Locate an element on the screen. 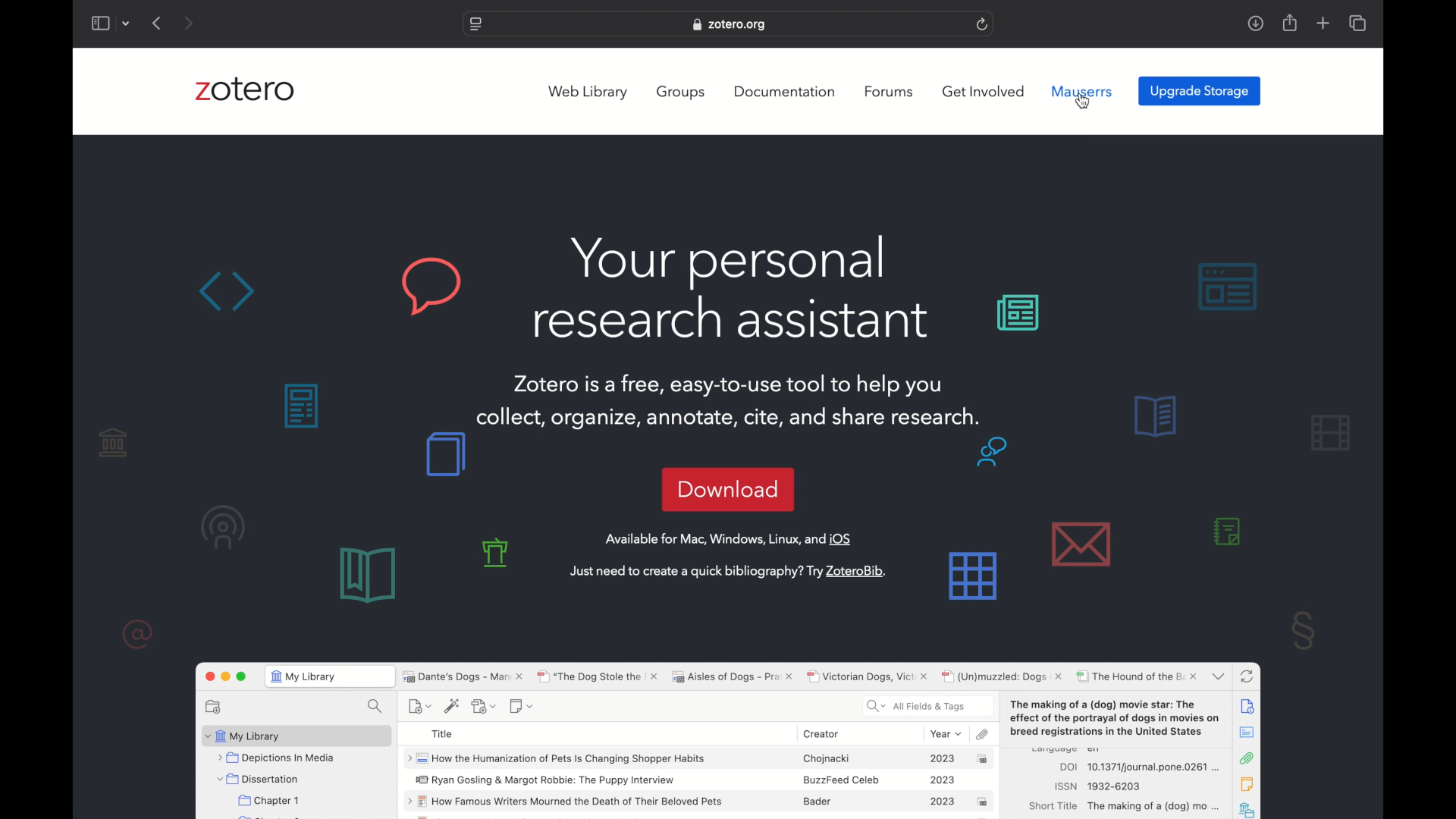  zotero is located at coordinates (246, 89).